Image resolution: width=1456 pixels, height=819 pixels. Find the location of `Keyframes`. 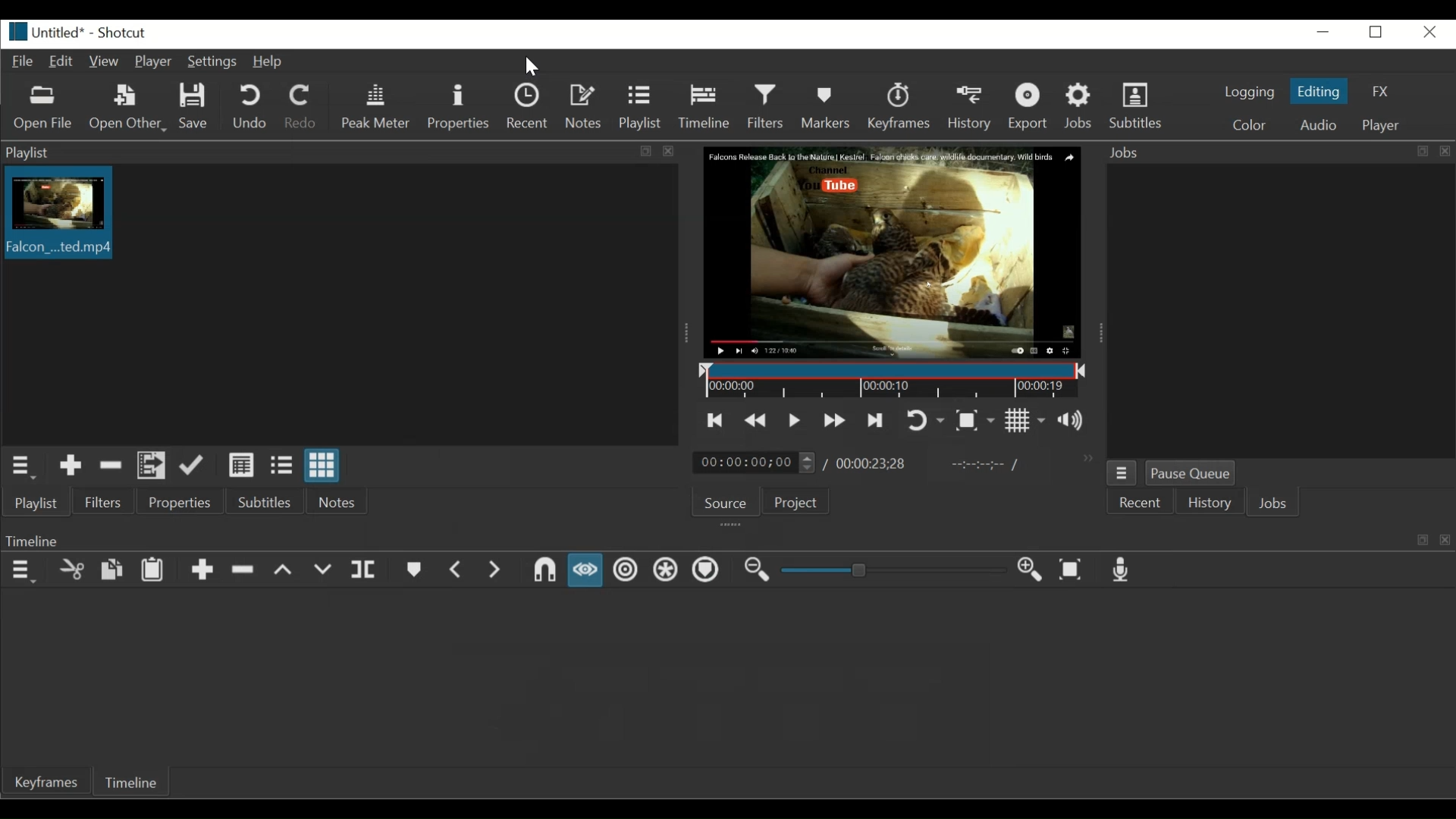

Keyframes is located at coordinates (45, 783).